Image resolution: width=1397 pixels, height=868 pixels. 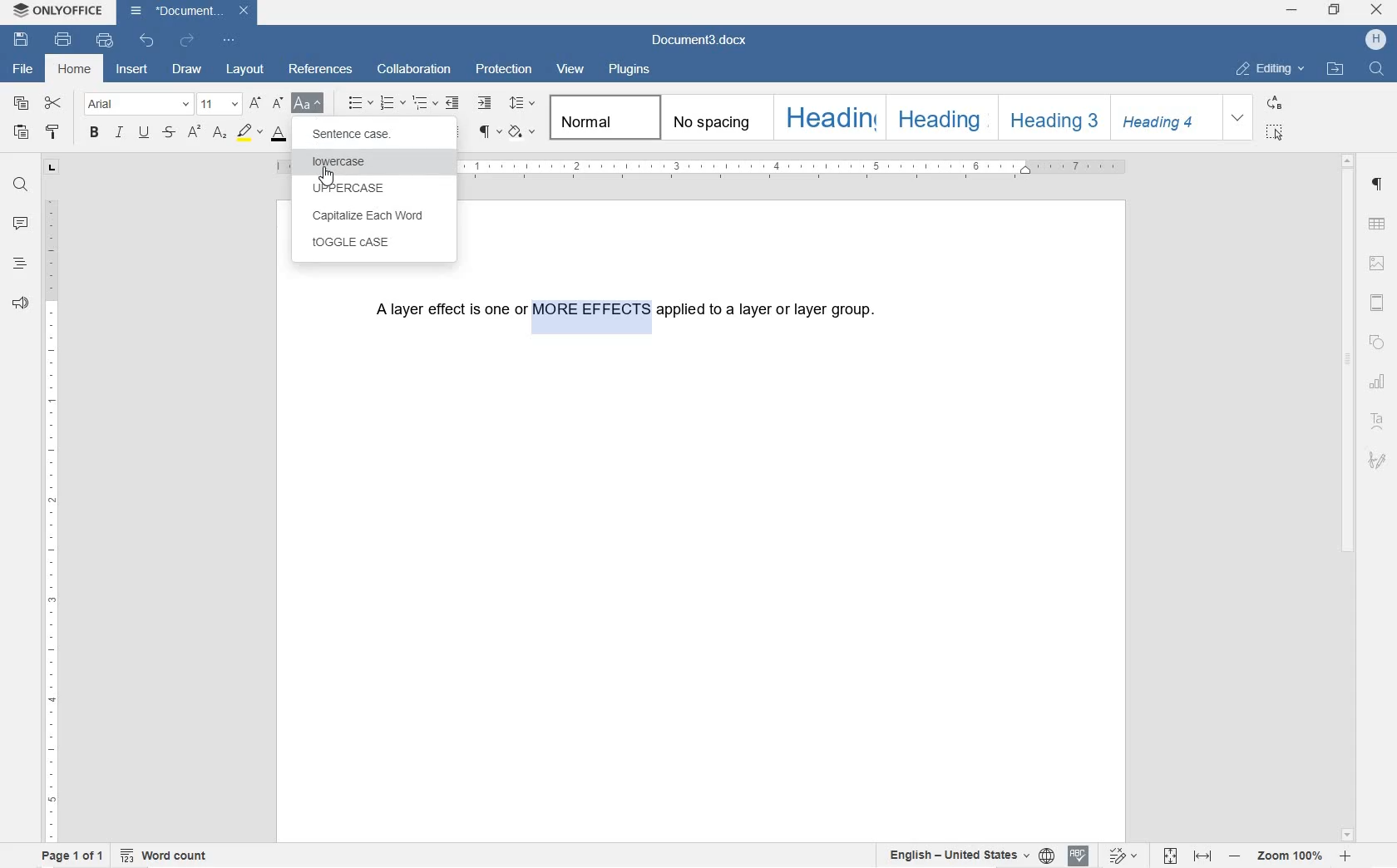 I want to click on PARAGRAPH LINE SPACING, so click(x=525, y=104).